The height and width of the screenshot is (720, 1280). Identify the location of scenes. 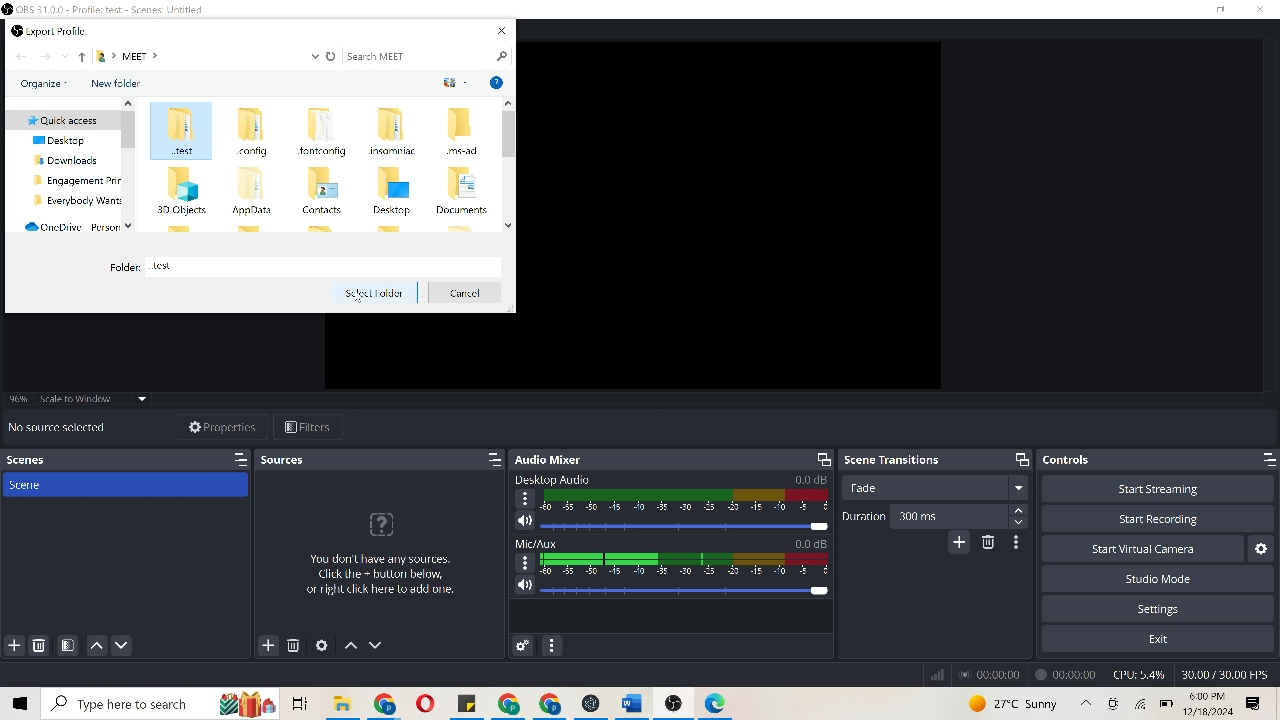
(47, 460).